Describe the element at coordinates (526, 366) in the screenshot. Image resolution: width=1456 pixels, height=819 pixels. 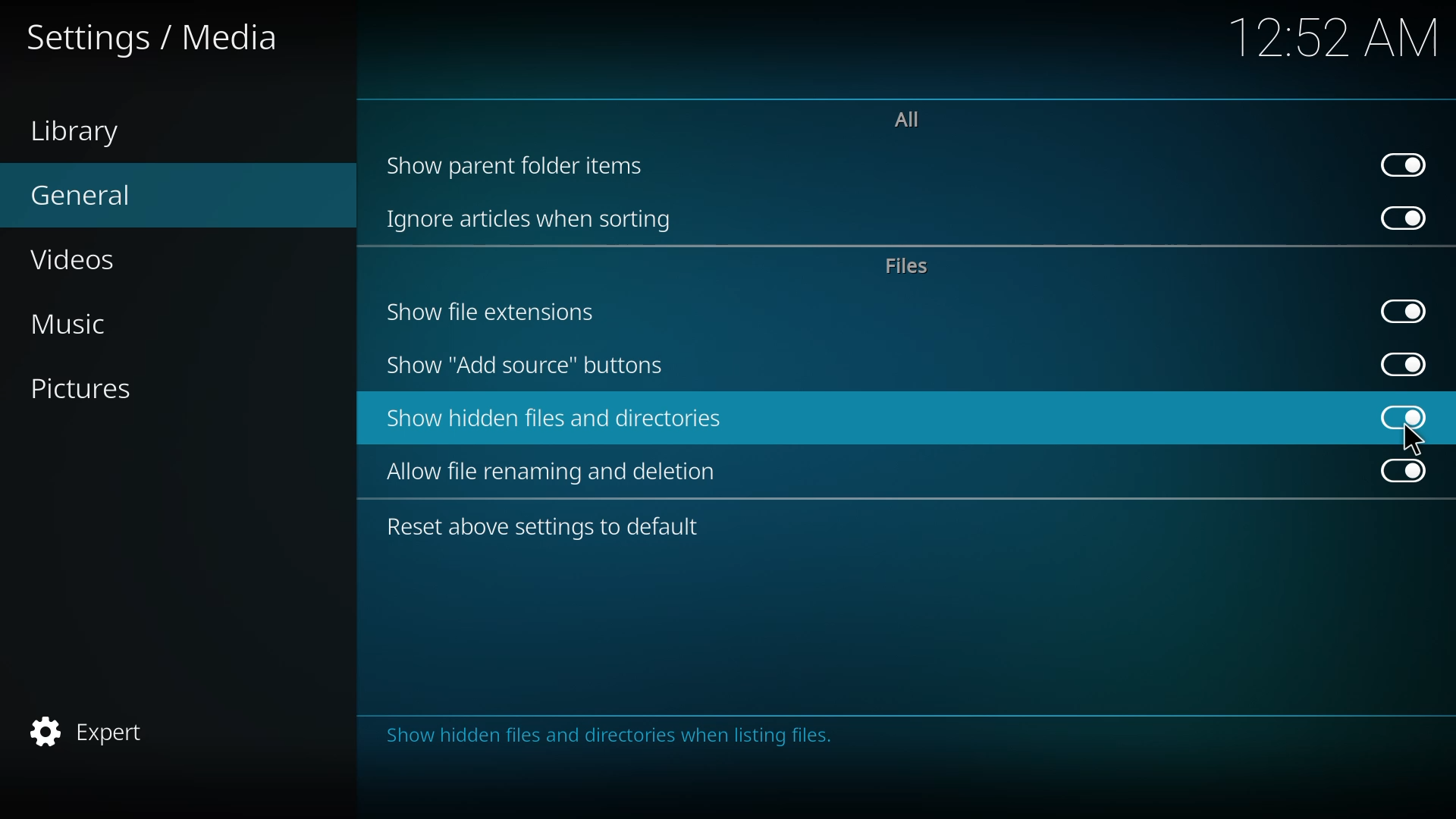
I see `show add source button` at that location.